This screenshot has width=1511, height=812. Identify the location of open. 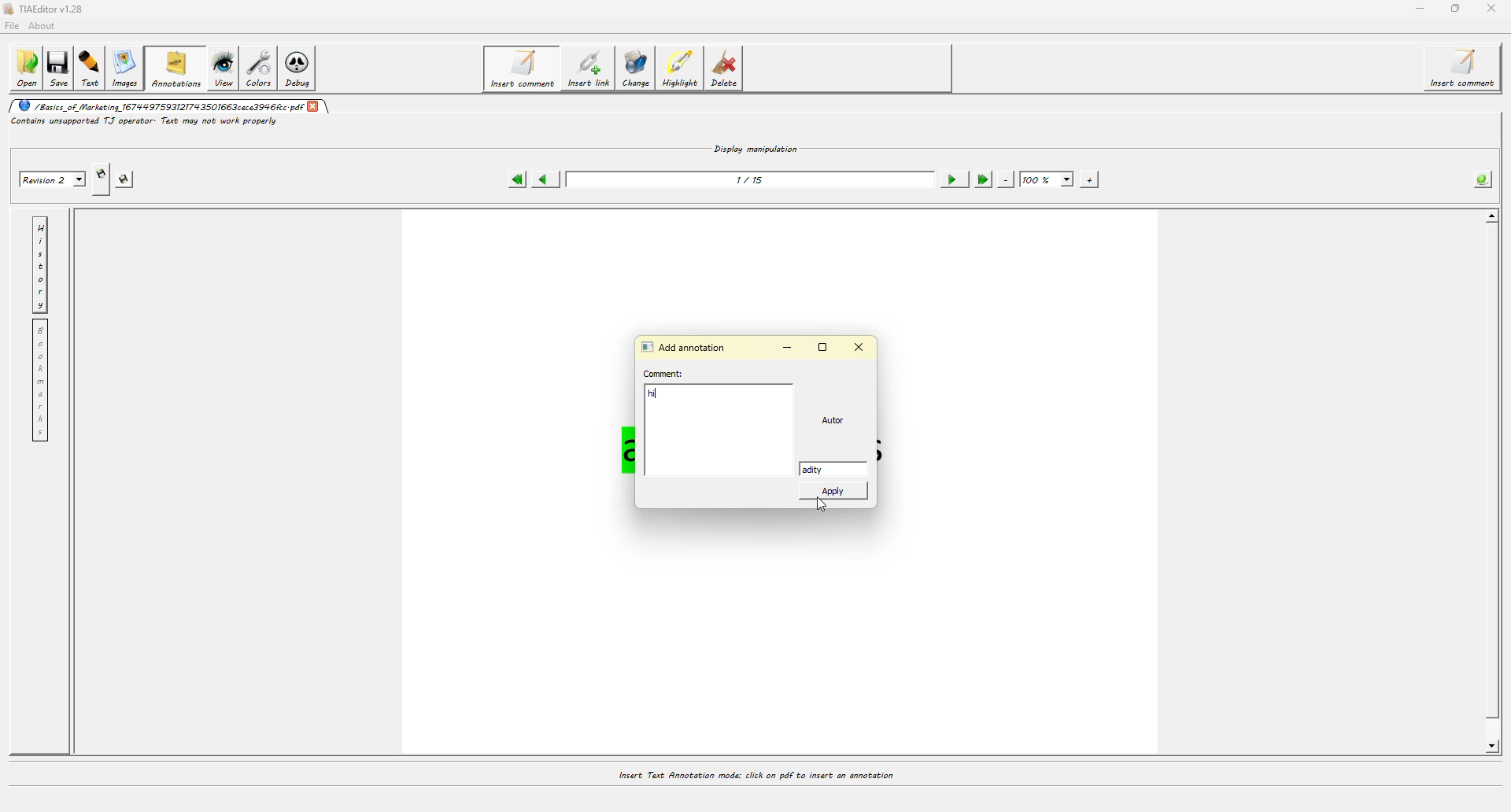
(26, 68).